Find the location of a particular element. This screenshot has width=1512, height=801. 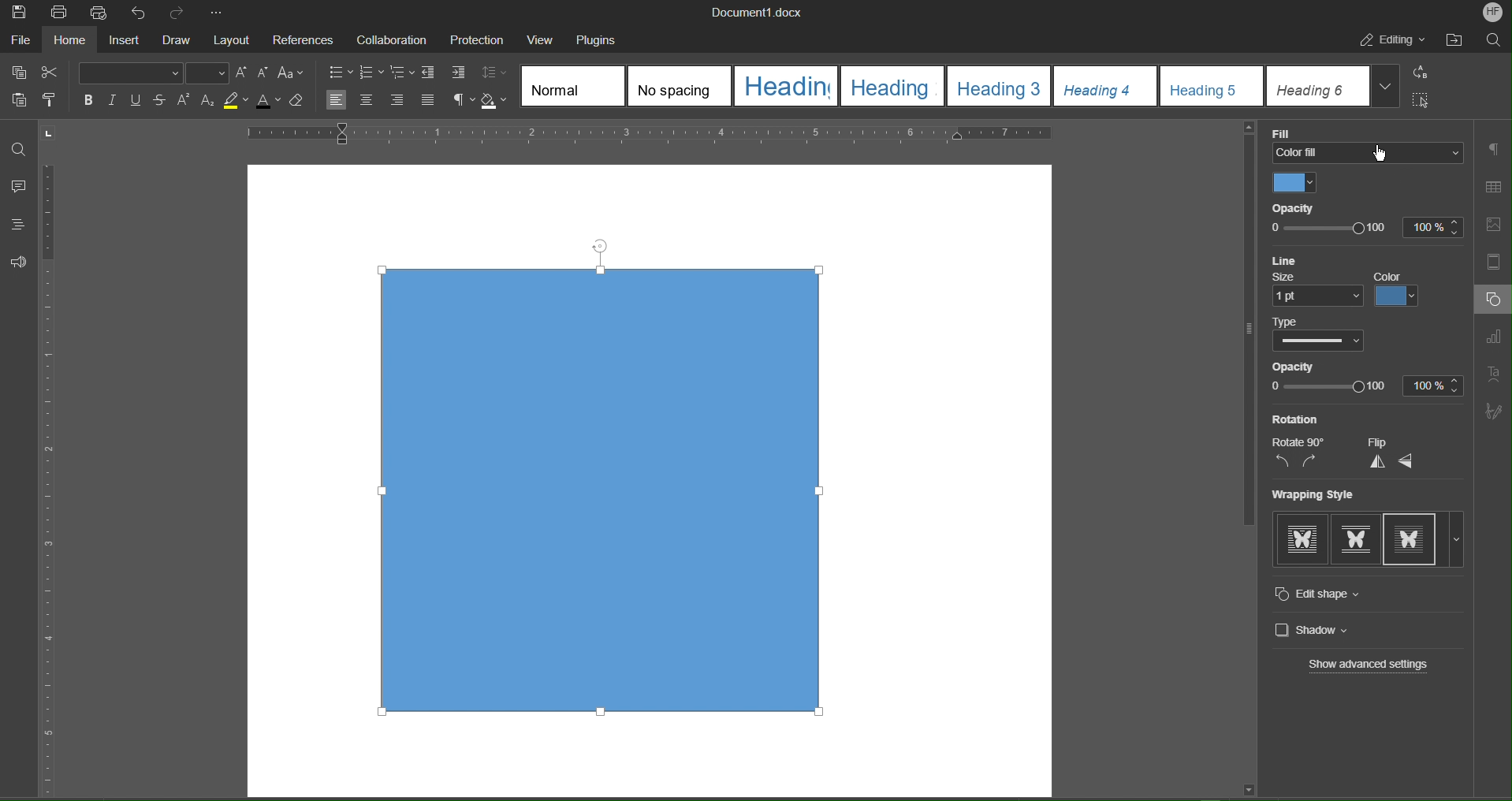

Fill is located at coordinates (1286, 133).